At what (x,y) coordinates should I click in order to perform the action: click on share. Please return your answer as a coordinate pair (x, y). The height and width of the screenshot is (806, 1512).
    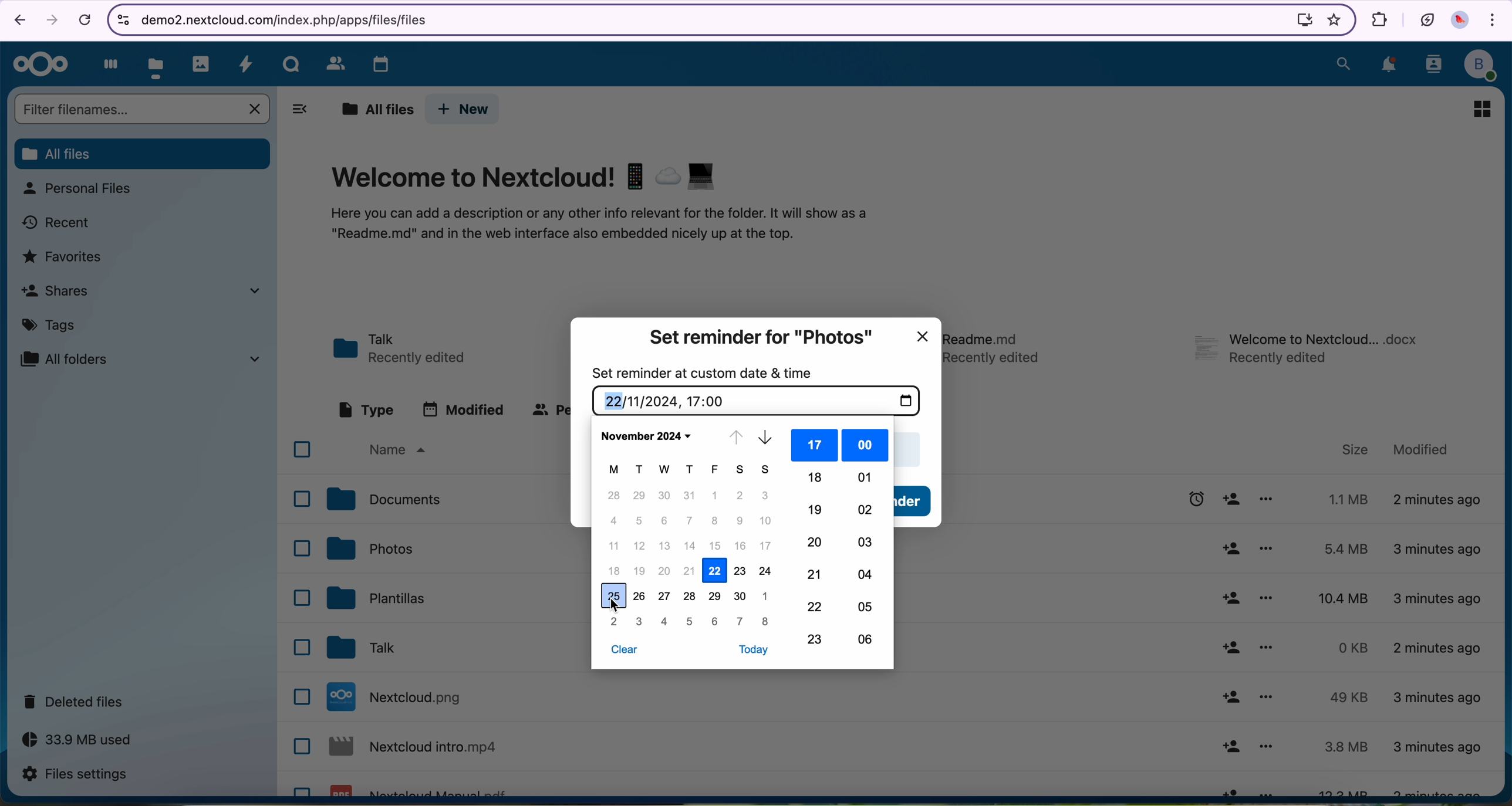
    Looking at the image, I should click on (1228, 697).